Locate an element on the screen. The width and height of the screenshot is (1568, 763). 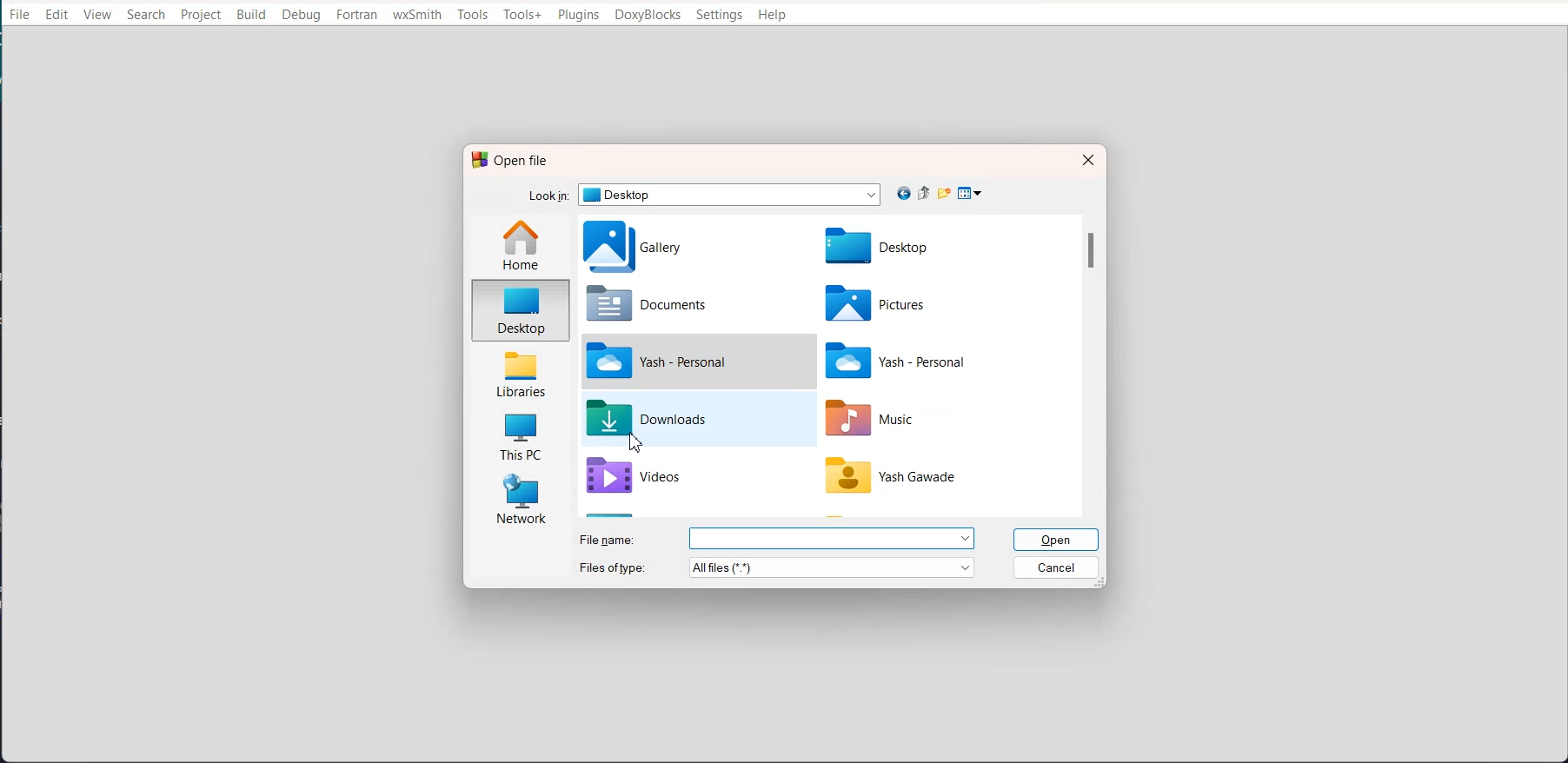
cursor is located at coordinates (637, 443).